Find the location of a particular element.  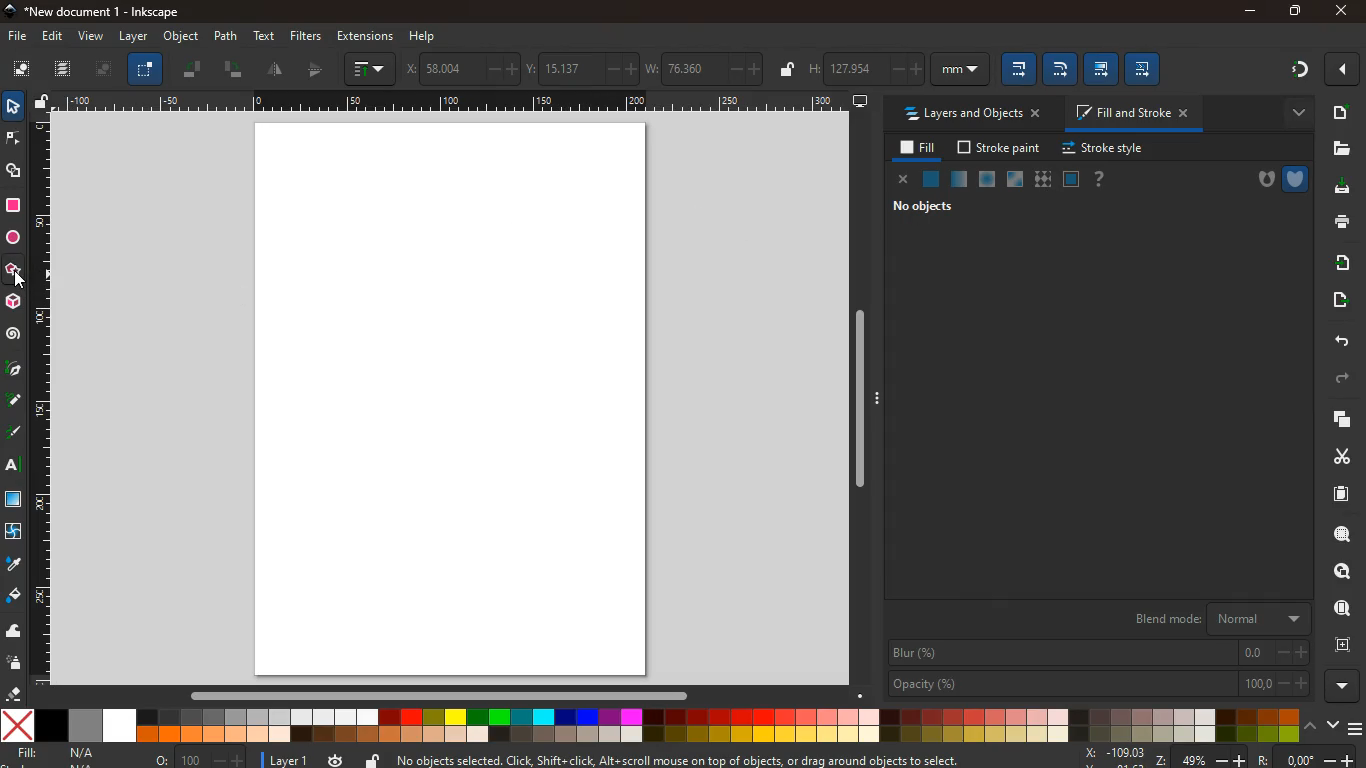

object is located at coordinates (180, 36).